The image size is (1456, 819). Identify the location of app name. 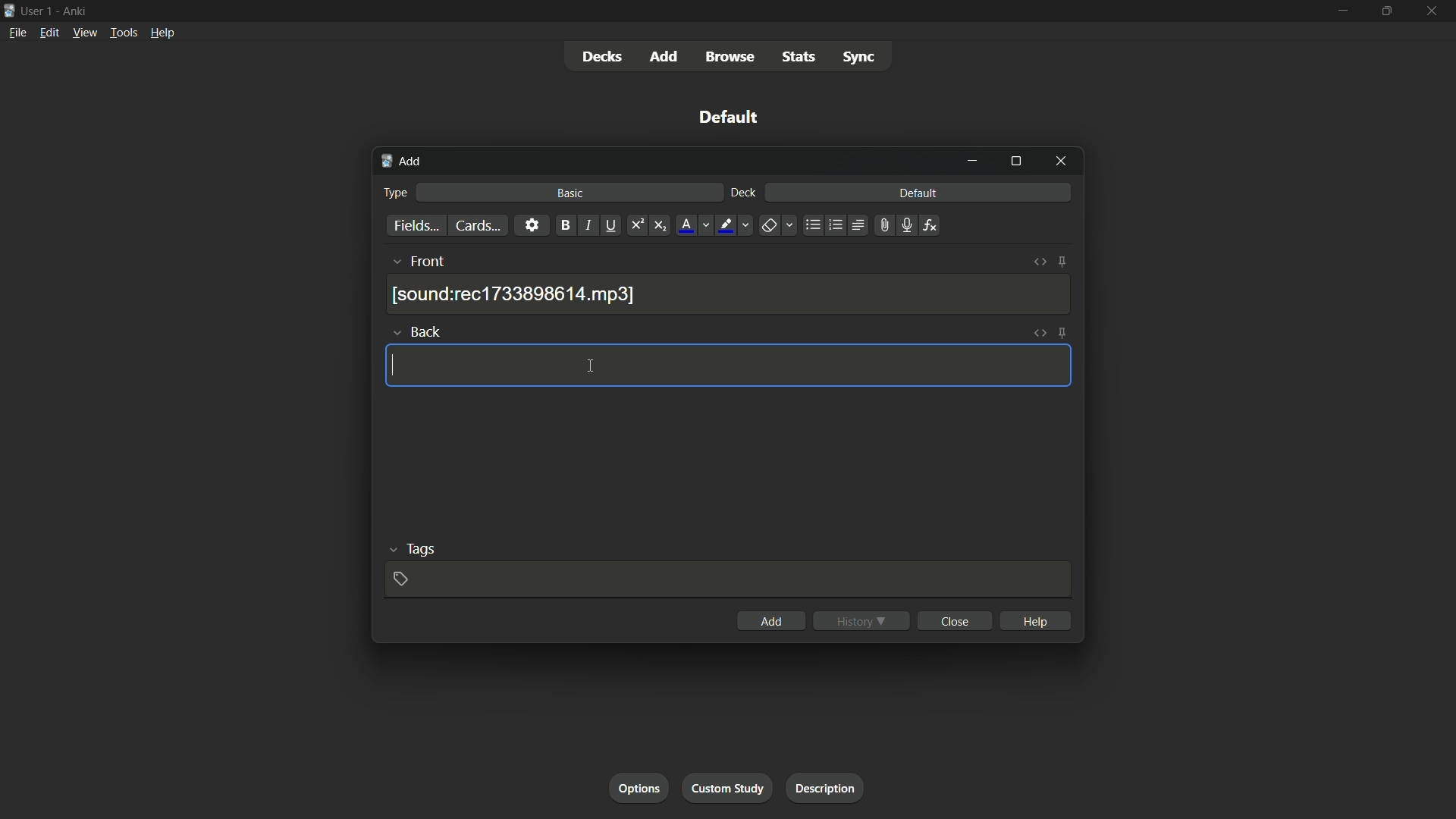
(74, 11).